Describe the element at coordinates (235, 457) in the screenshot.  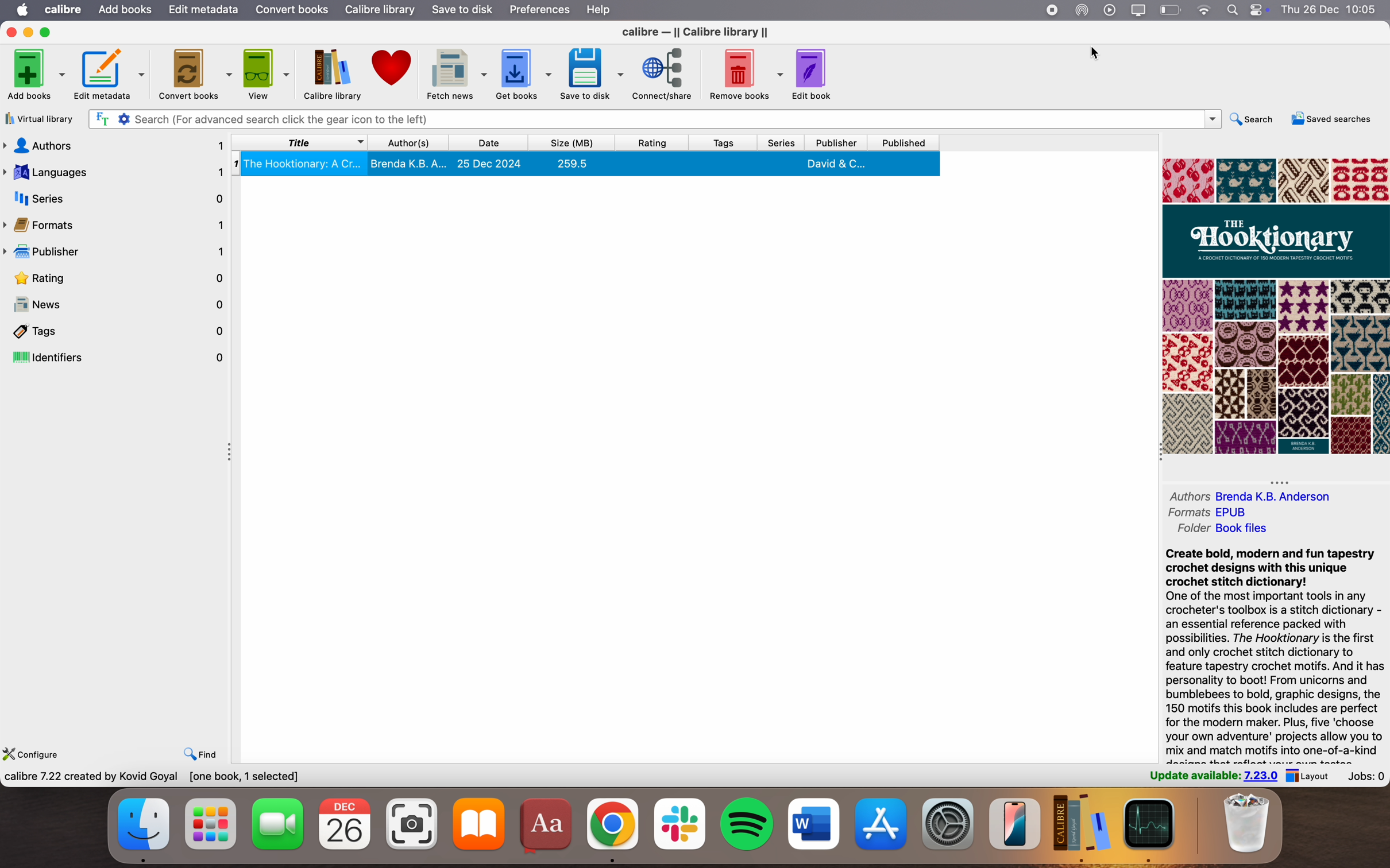
I see `hide sidebar` at that location.